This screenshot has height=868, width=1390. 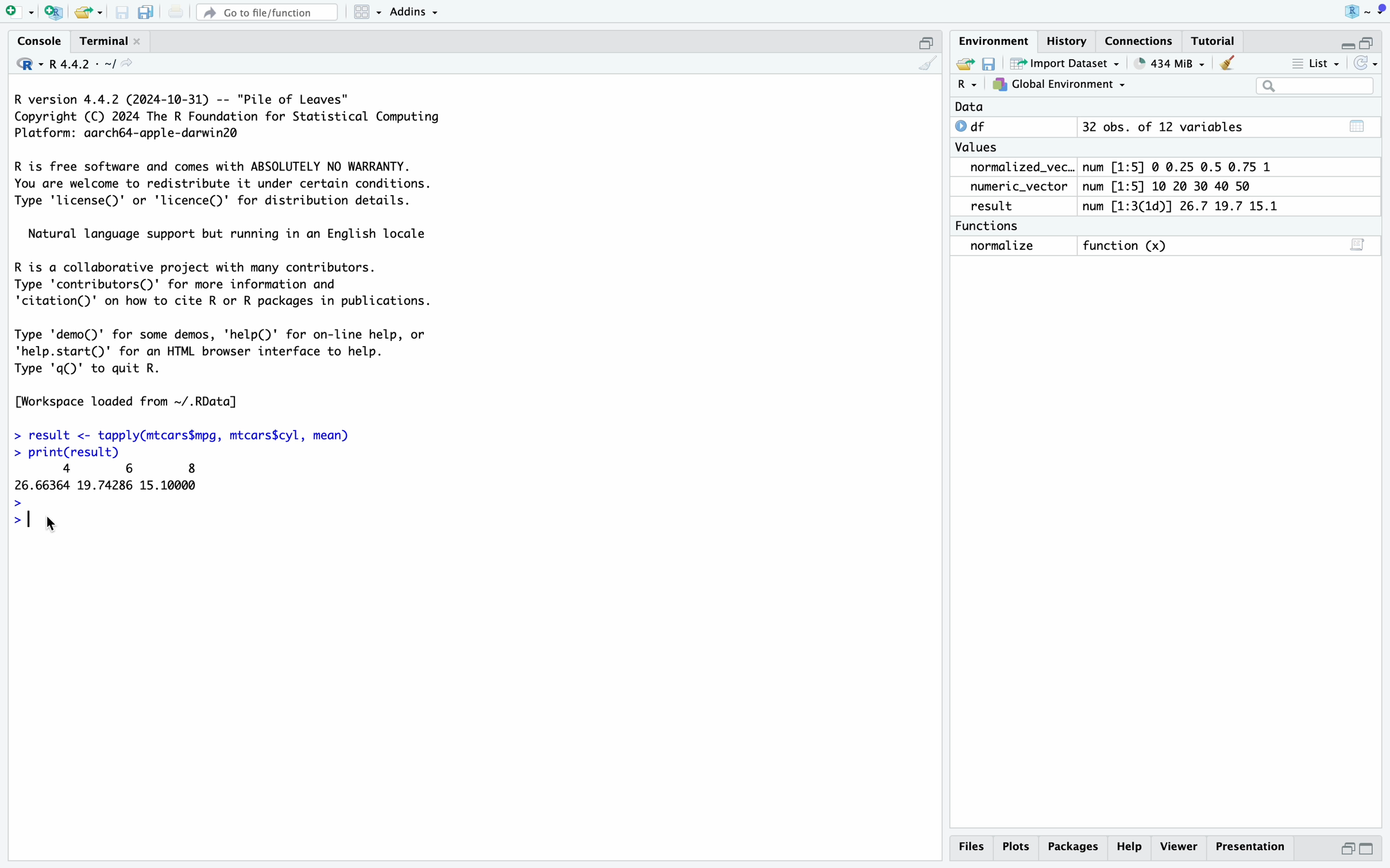 What do you see at coordinates (1365, 63) in the screenshot?
I see `Refresh list` at bounding box center [1365, 63].